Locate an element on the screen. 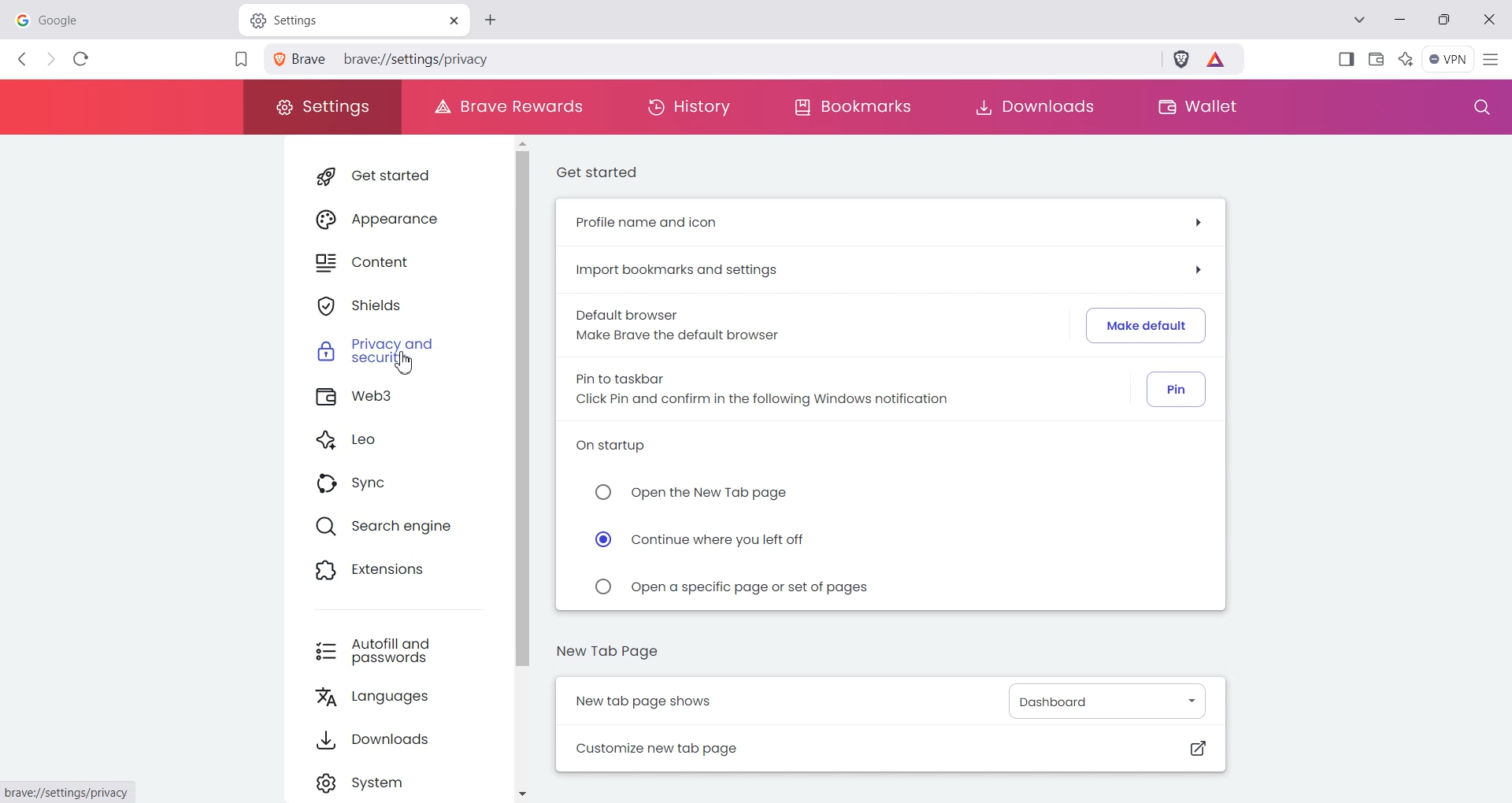  Brave Rewards is located at coordinates (504, 107).